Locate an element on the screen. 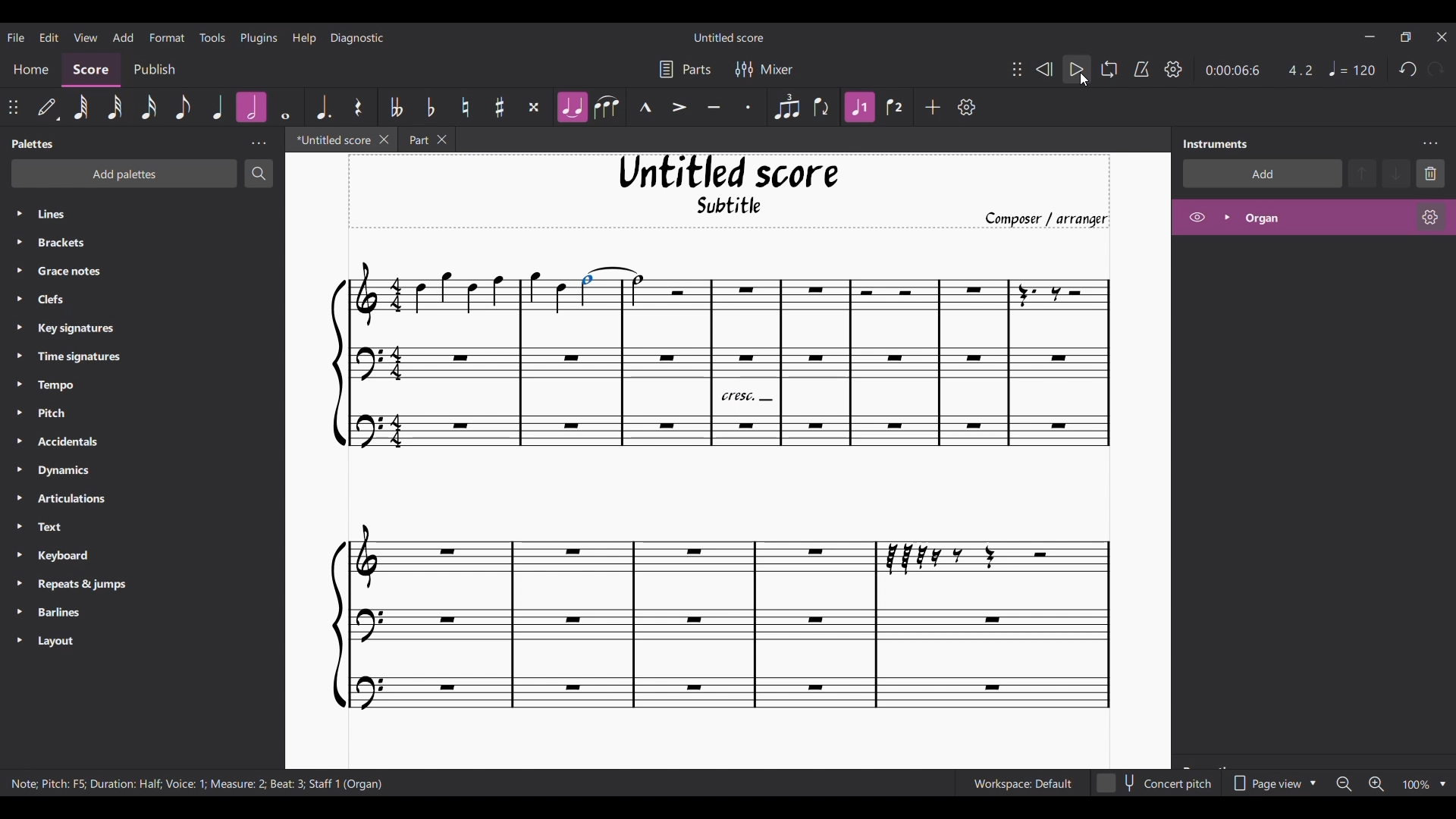  Toggle flat is located at coordinates (431, 107).